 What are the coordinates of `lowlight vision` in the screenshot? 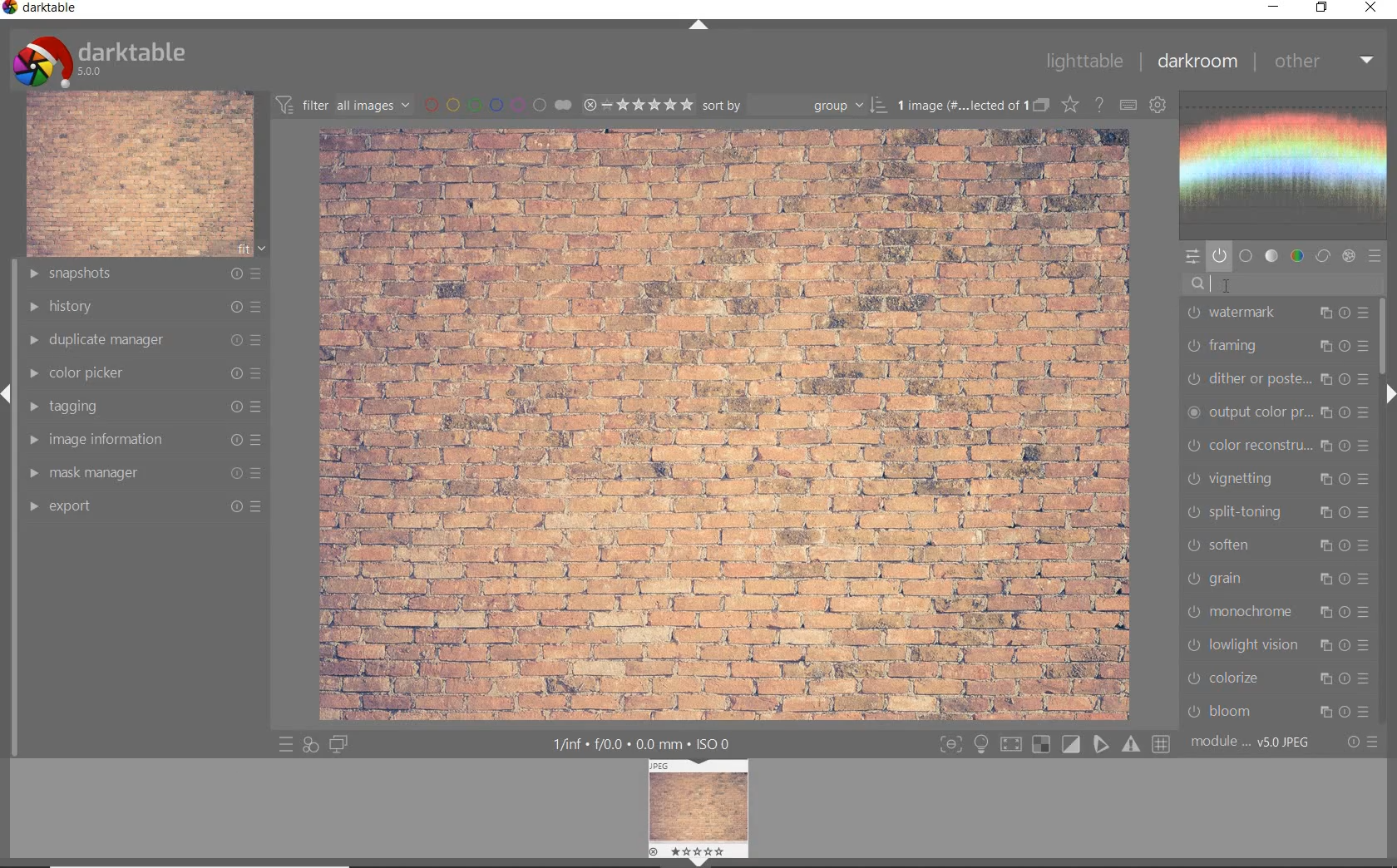 It's located at (1278, 648).